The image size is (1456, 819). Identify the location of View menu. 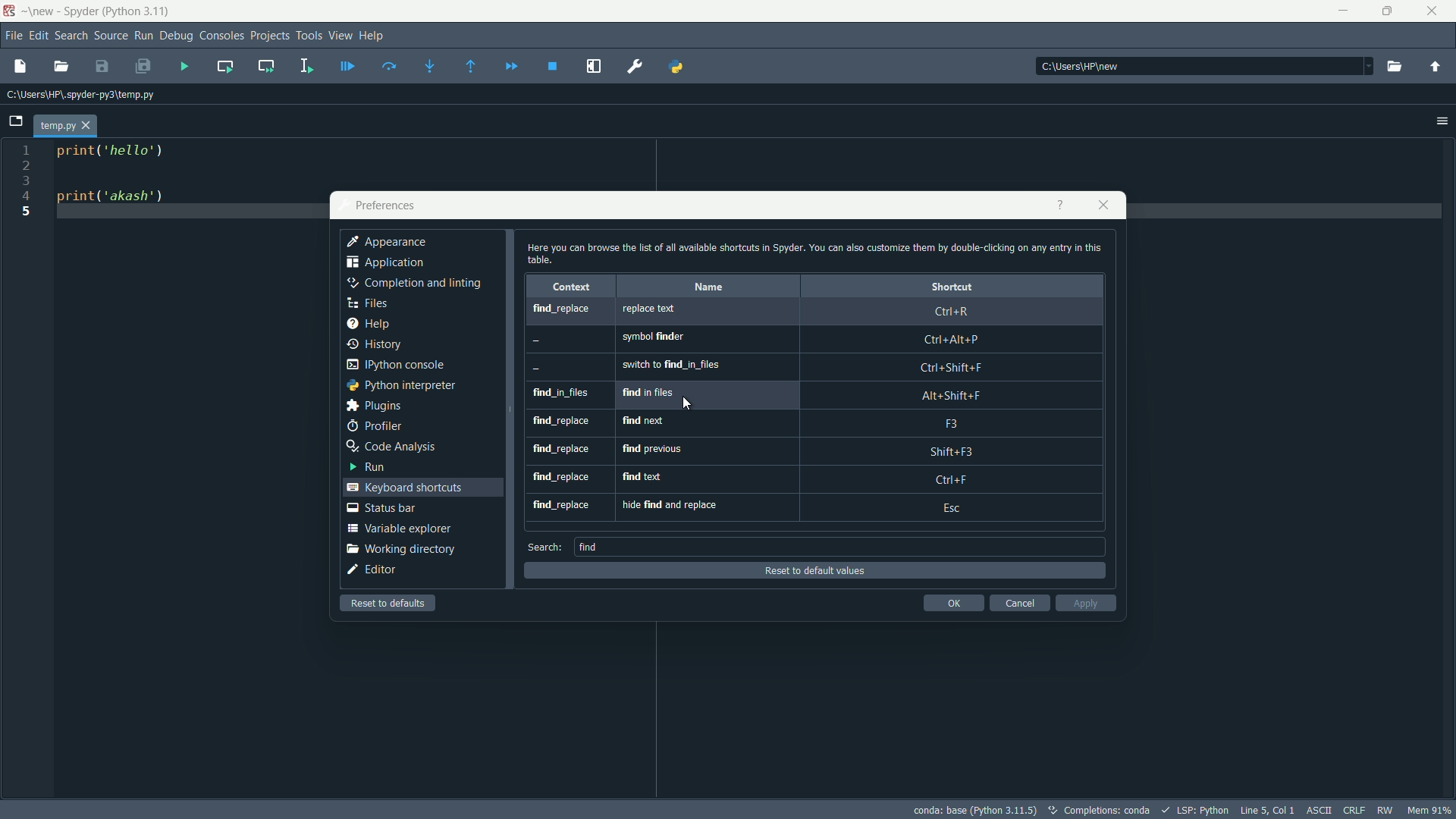
(340, 35).